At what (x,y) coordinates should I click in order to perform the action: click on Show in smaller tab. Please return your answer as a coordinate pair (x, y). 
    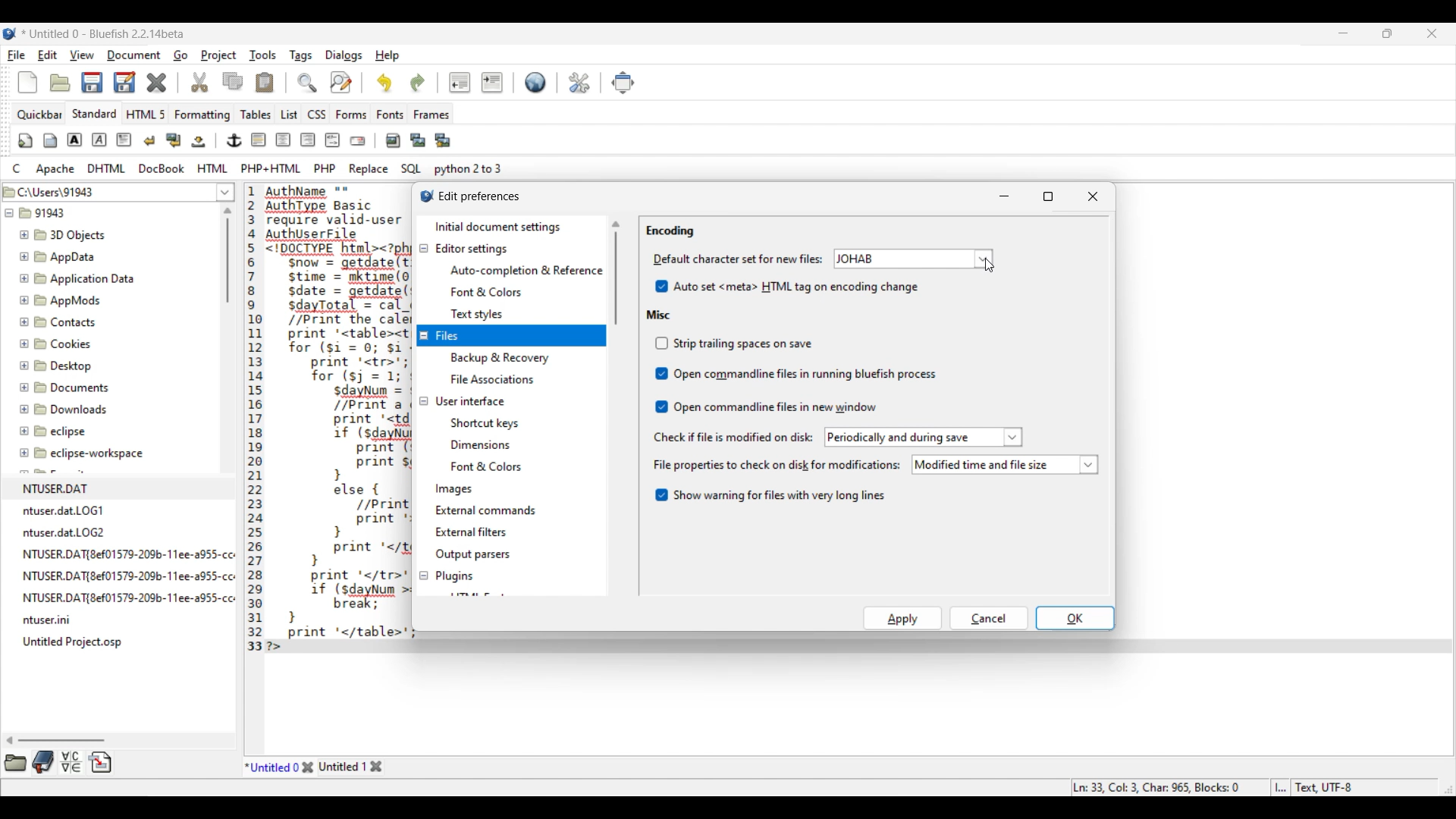
    Looking at the image, I should click on (1387, 33).